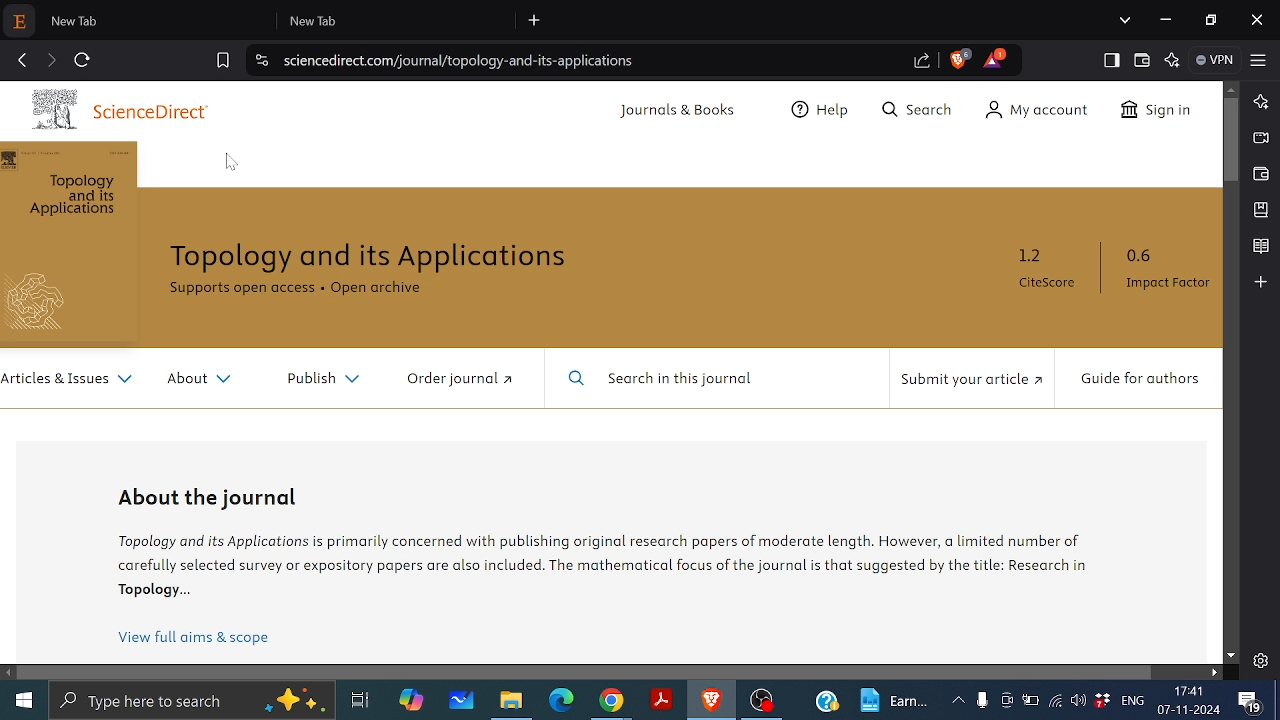 This screenshot has width=1280, height=720. What do you see at coordinates (197, 379) in the screenshot?
I see `About` at bounding box center [197, 379].